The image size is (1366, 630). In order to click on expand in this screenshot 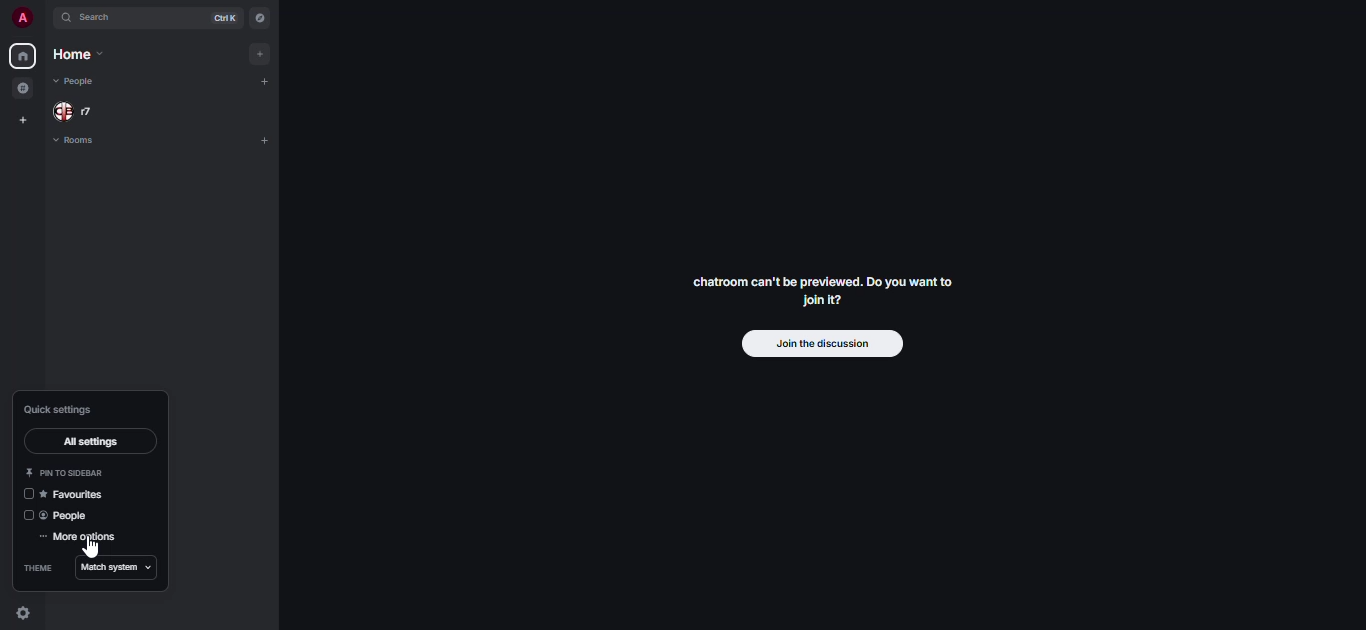, I will do `click(46, 17)`.